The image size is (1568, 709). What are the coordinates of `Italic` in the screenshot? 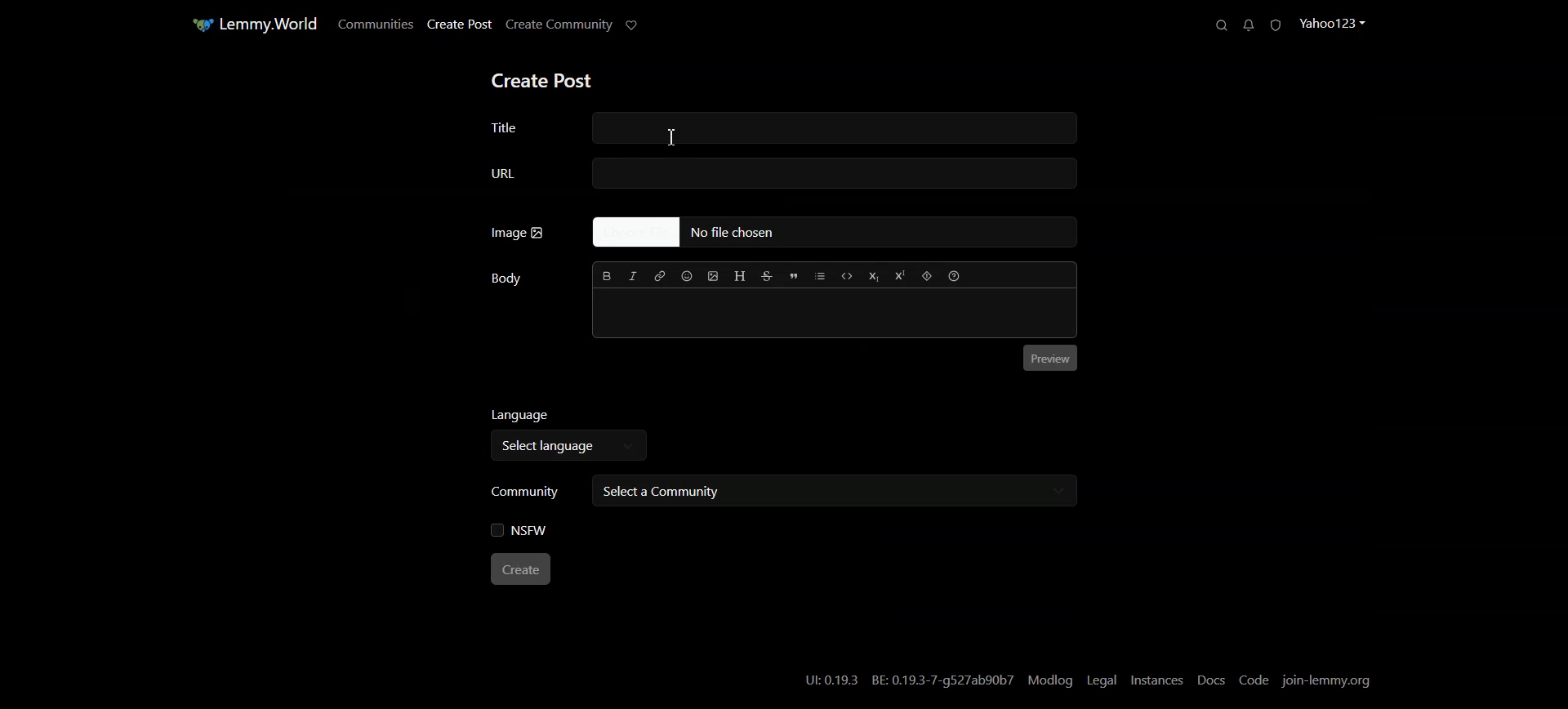 It's located at (634, 276).